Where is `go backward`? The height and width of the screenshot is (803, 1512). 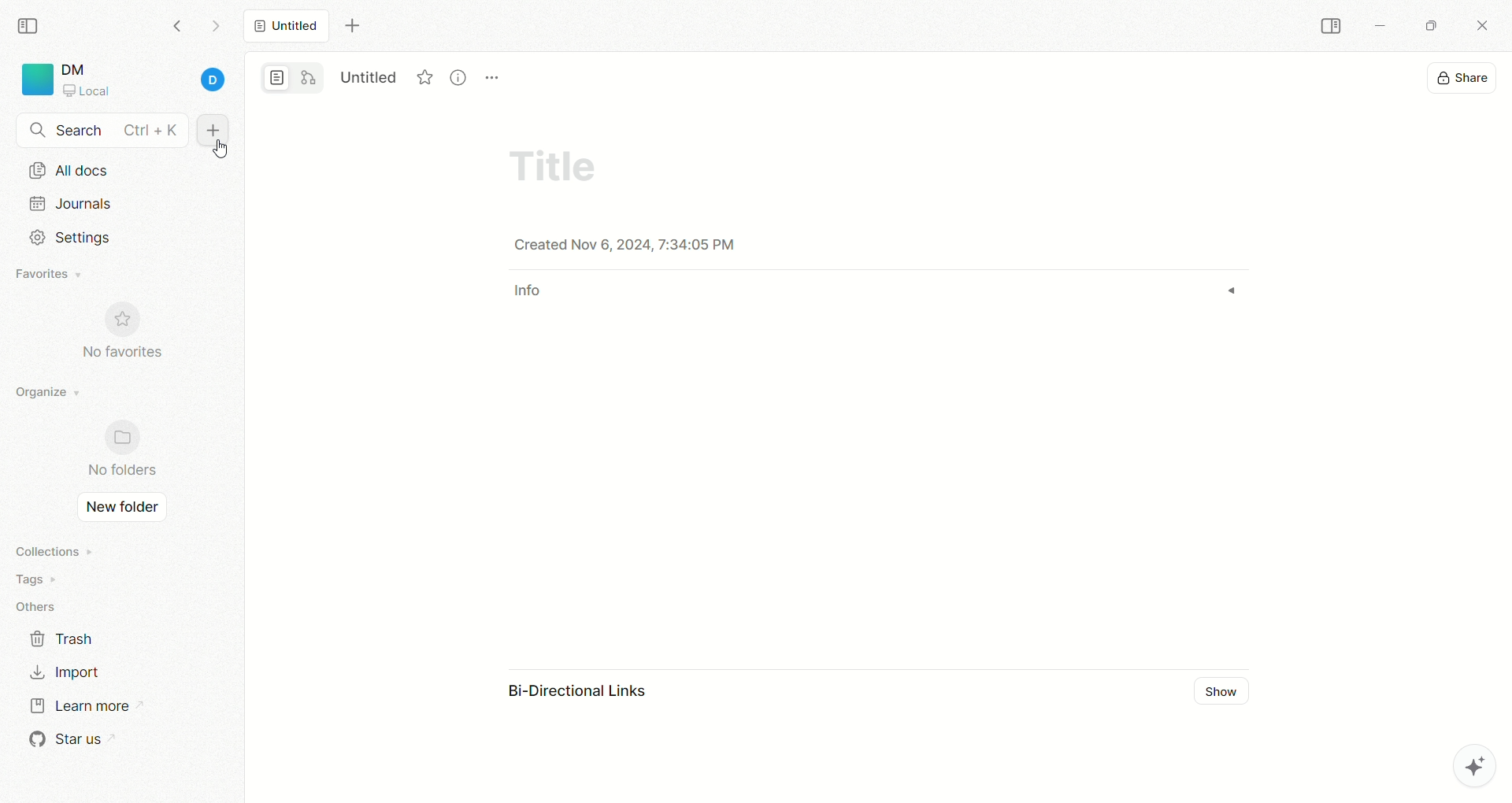
go backward is located at coordinates (177, 25).